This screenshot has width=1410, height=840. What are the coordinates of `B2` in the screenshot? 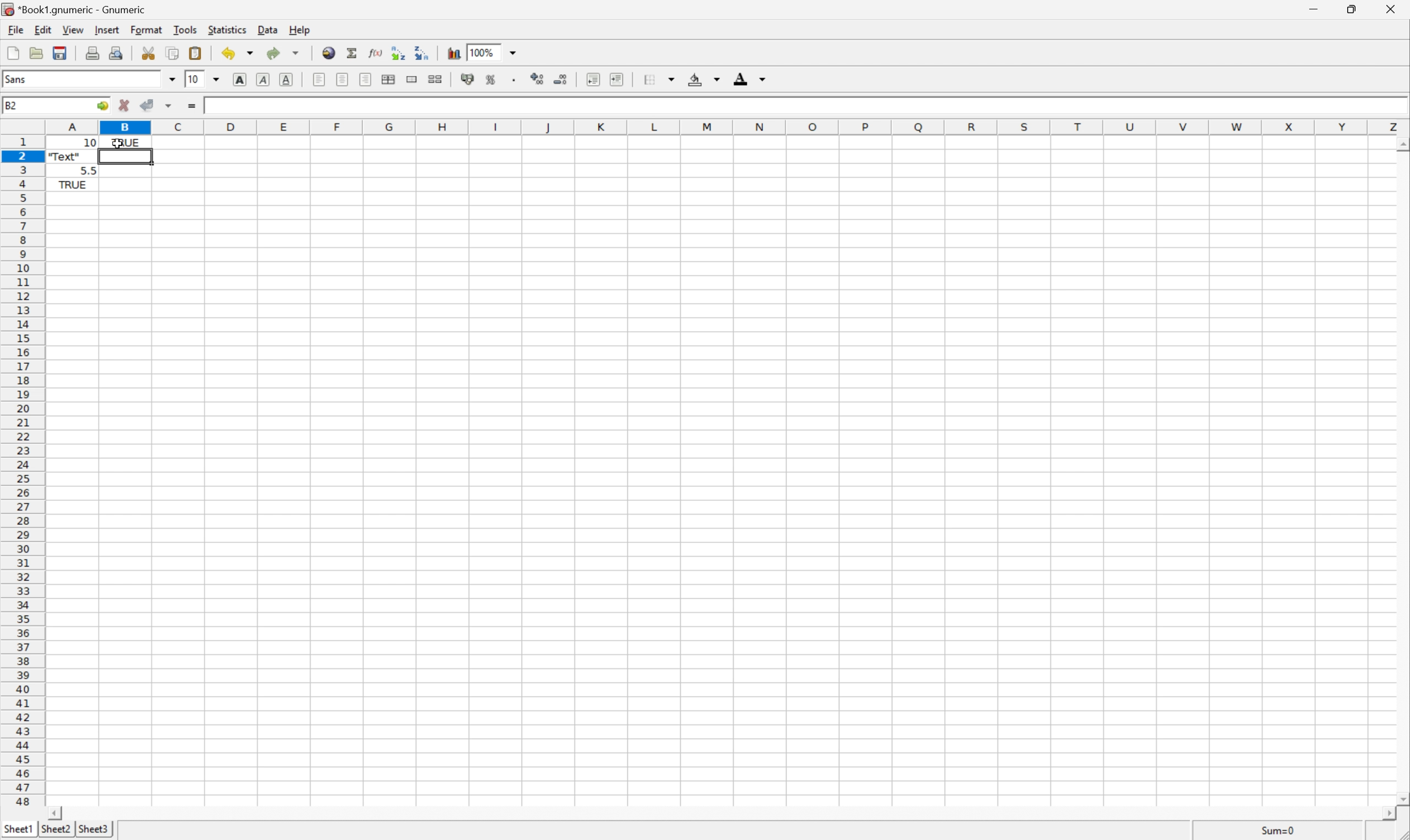 It's located at (10, 102).